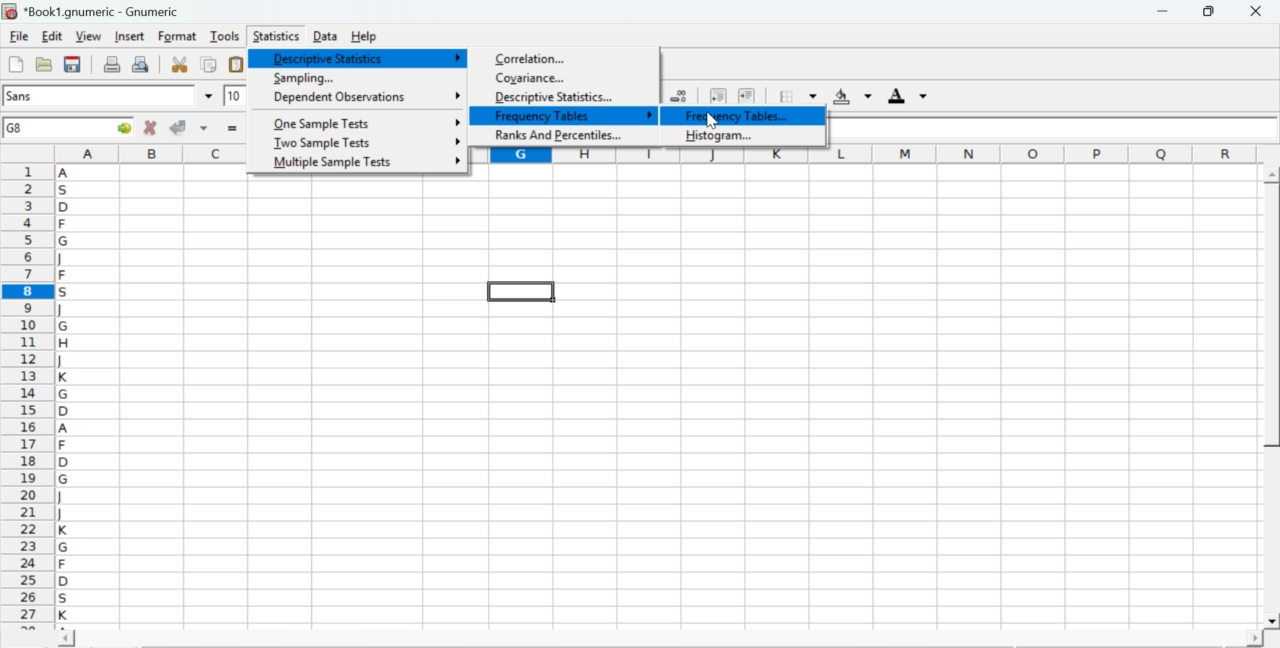 The height and width of the screenshot is (648, 1280). I want to click on more, so click(652, 116).